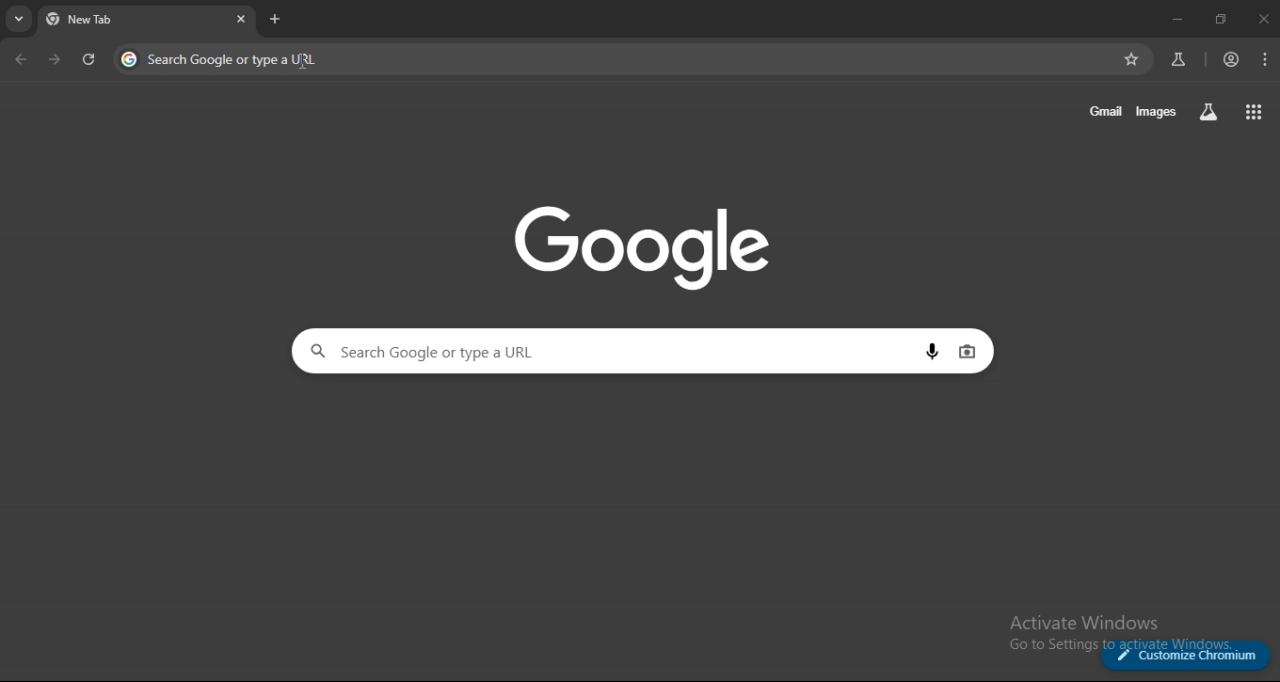 Image resolution: width=1280 pixels, height=682 pixels. Describe the element at coordinates (648, 247) in the screenshot. I see `Google` at that location.